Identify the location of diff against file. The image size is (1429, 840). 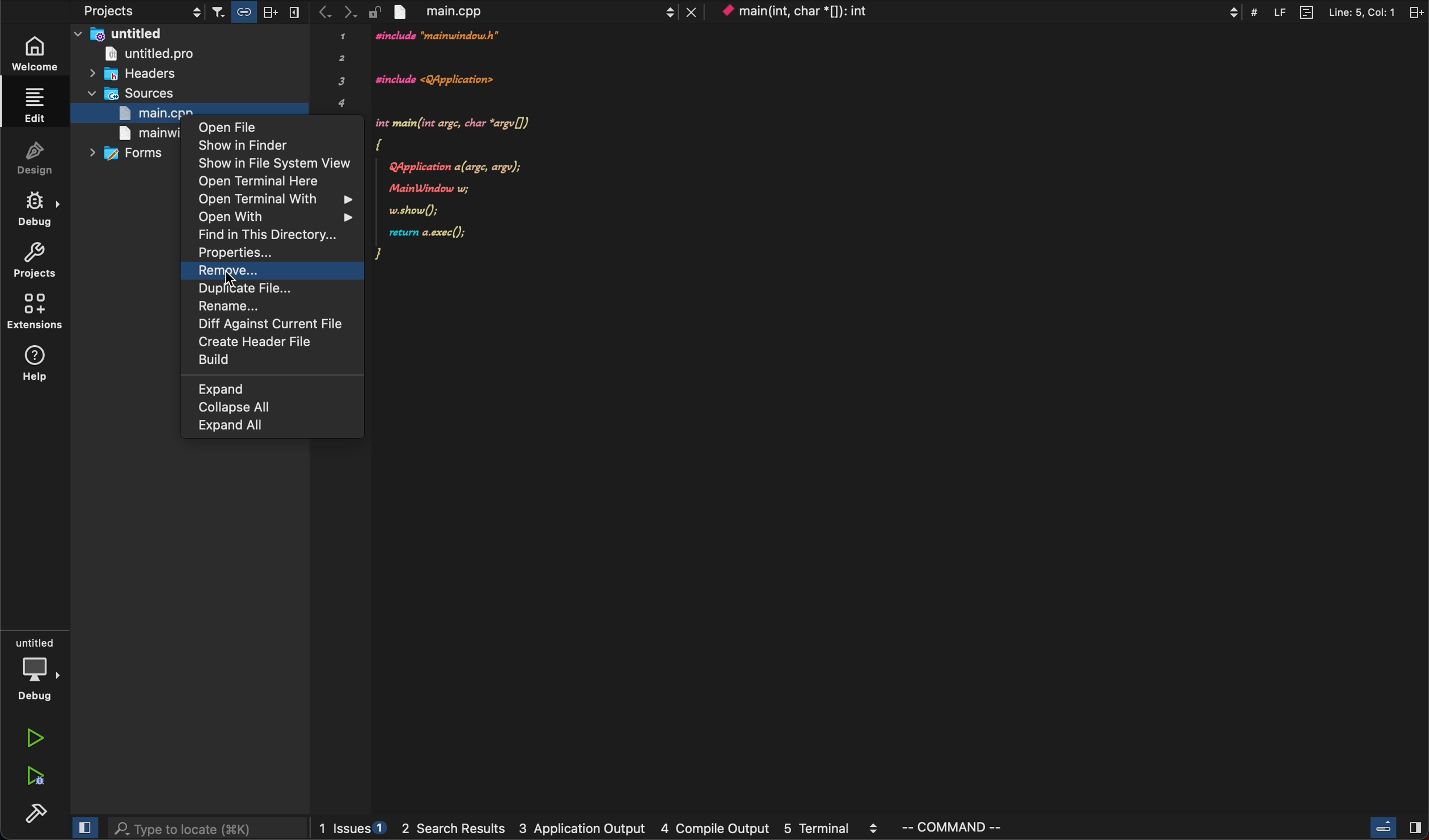
(269, 325).